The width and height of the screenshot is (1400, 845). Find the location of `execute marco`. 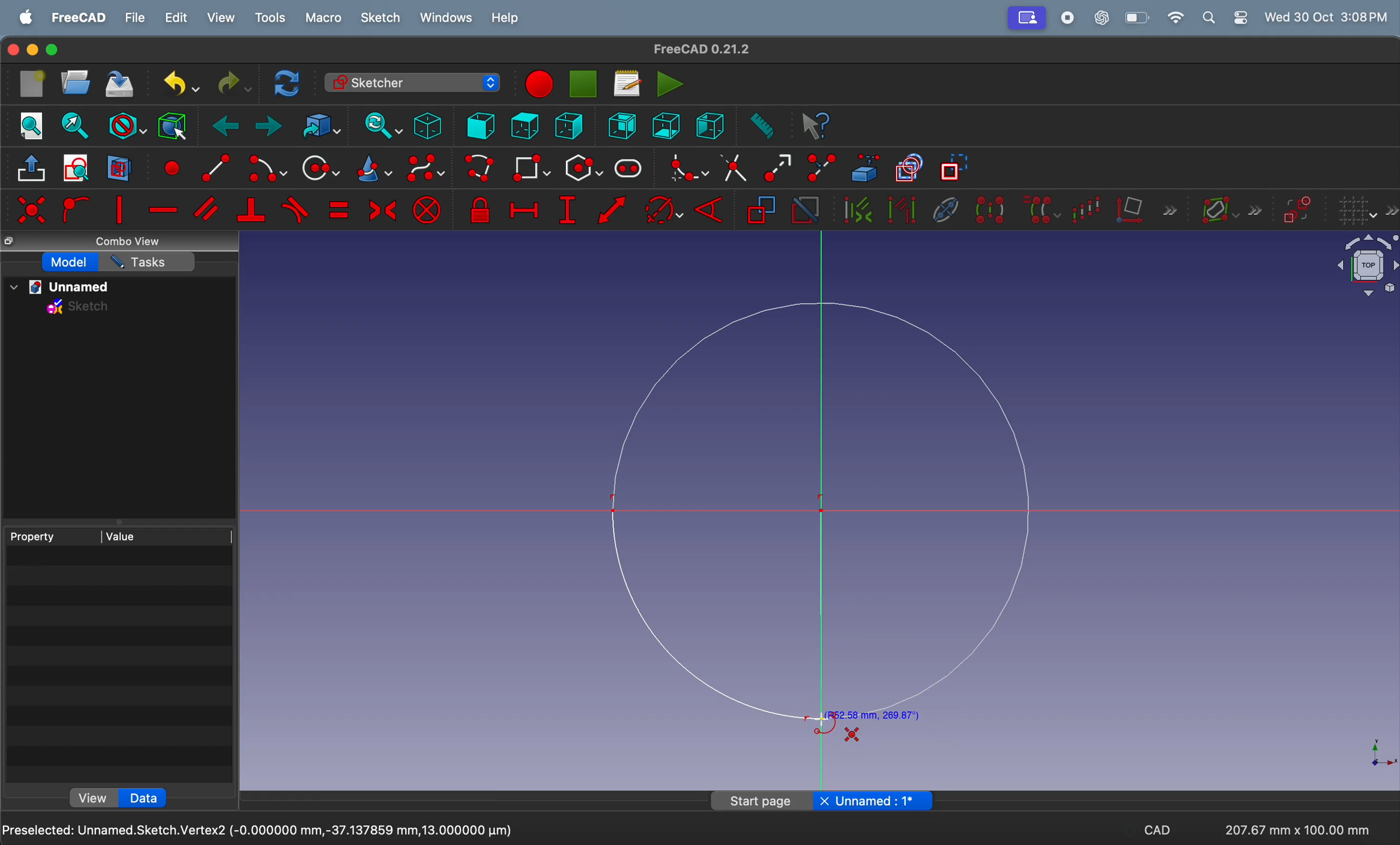

execute marco is located at coordinates (670, 83).